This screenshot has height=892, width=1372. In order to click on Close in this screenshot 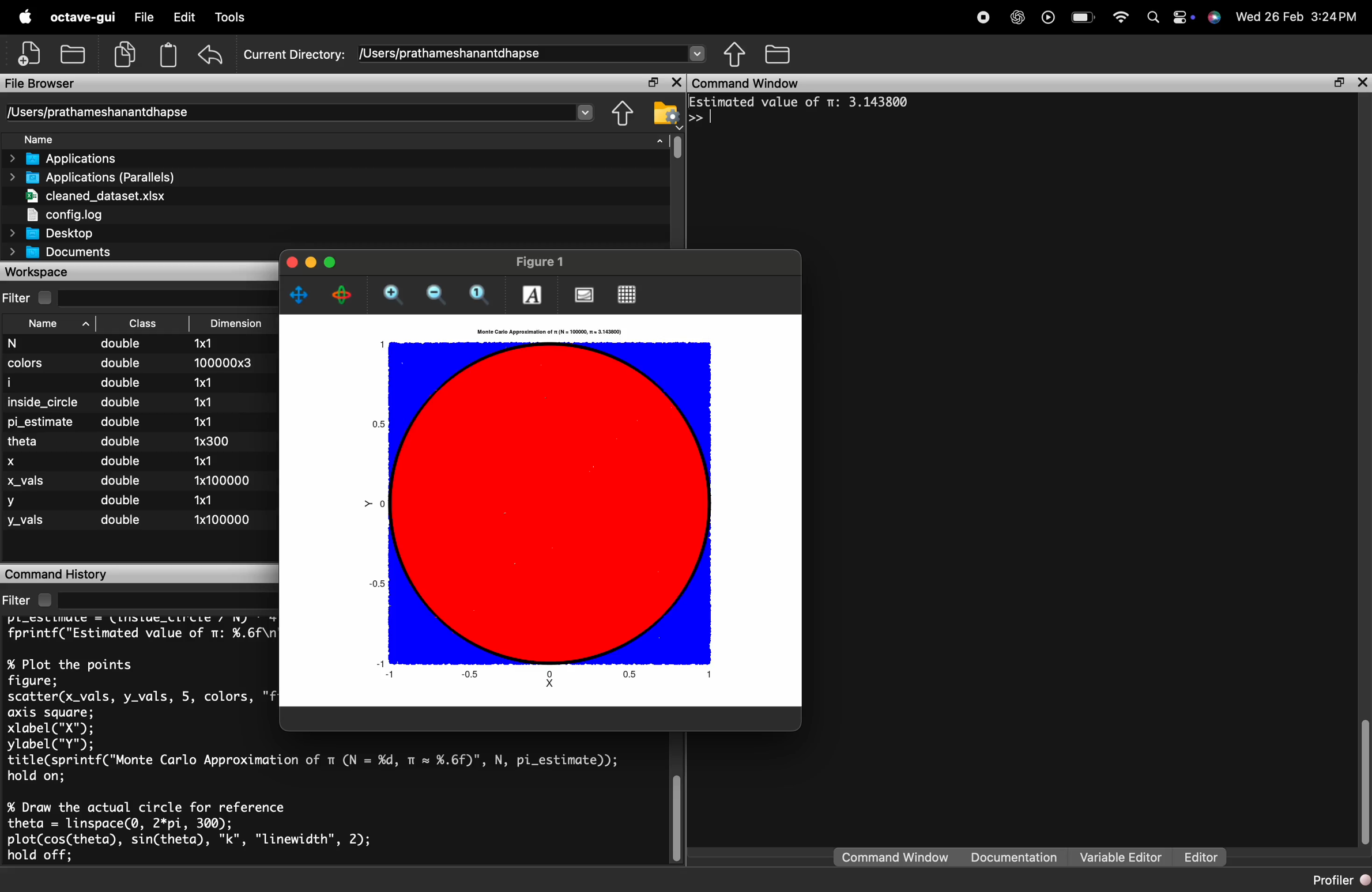, I will do `click(675, 82)`.